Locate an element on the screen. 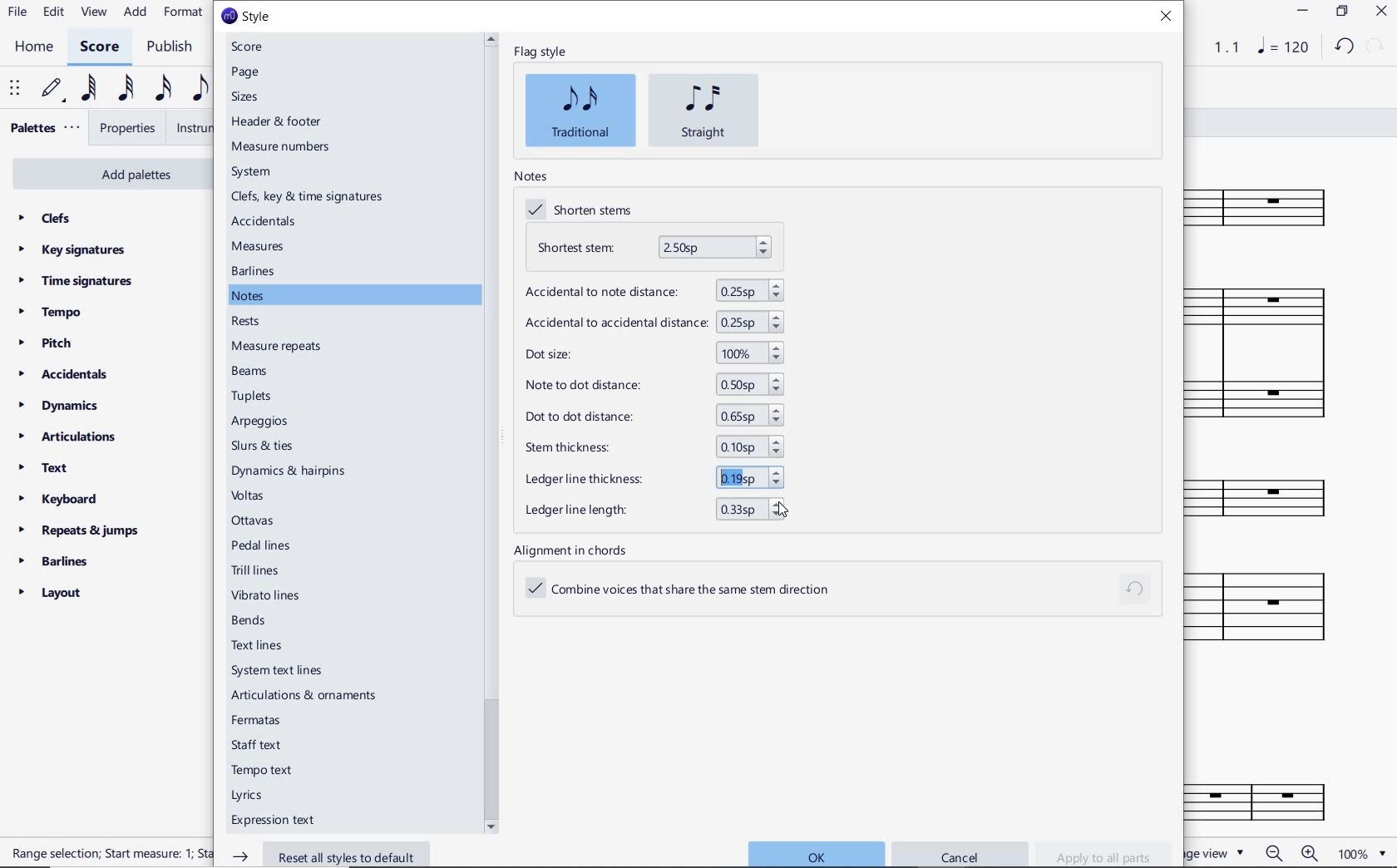 The width and height of the screenshot is (1397, 868). ZOOM FACTOR is located at coordinates (1362, 852).